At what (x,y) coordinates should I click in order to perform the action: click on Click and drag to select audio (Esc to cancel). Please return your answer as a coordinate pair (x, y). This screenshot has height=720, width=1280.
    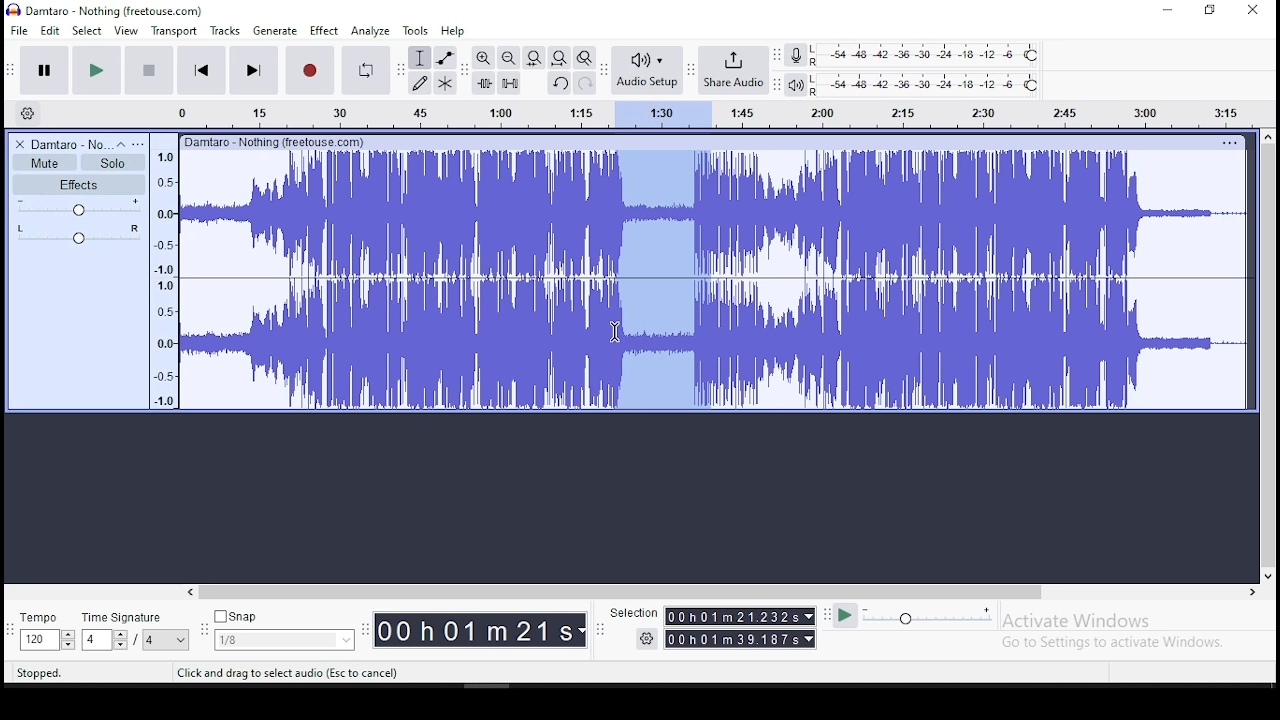
    Looking at the image, I should click on (291, 672).